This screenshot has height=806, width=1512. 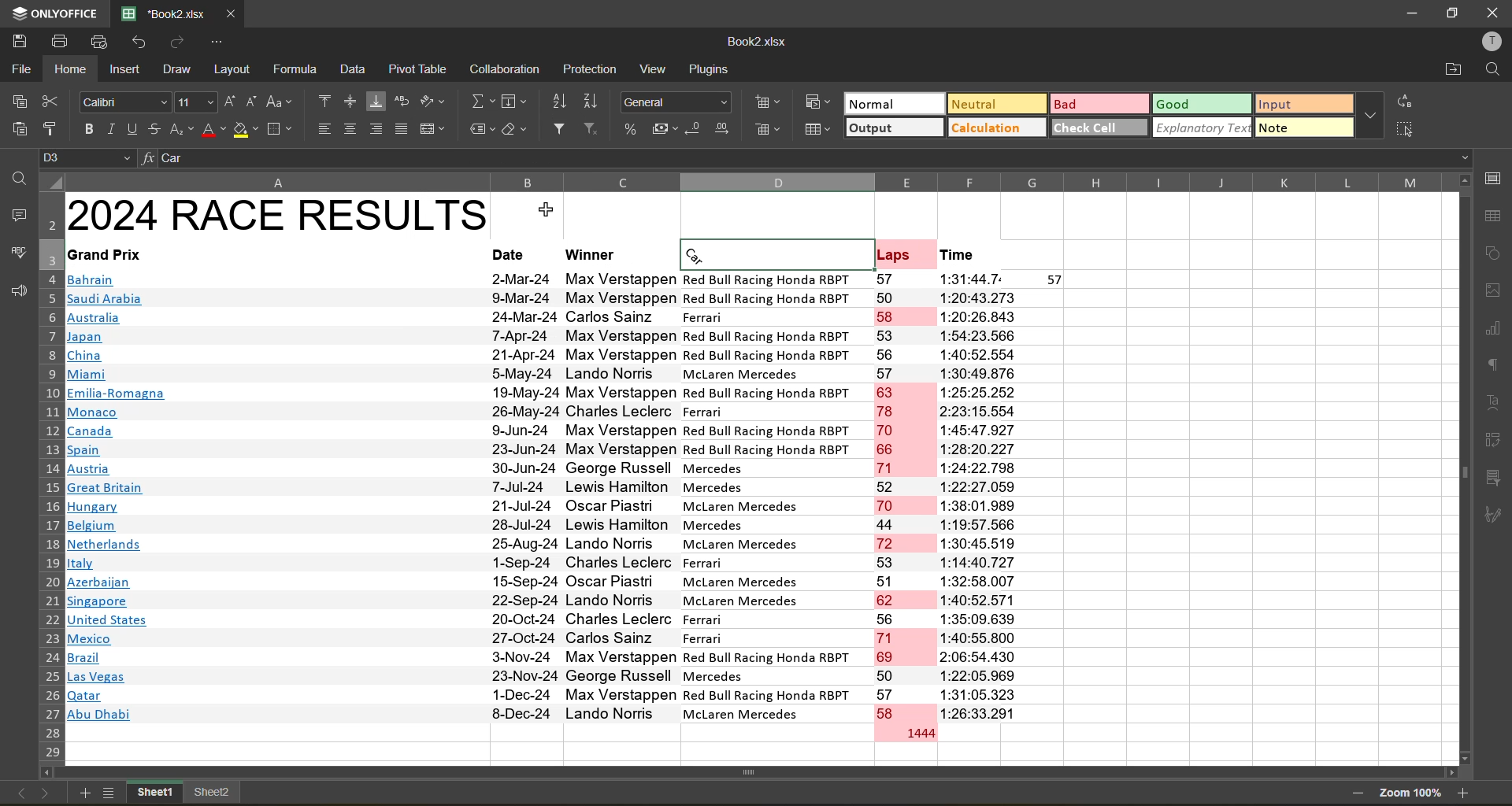 I want to click on fields, so click(x=517, y=102).